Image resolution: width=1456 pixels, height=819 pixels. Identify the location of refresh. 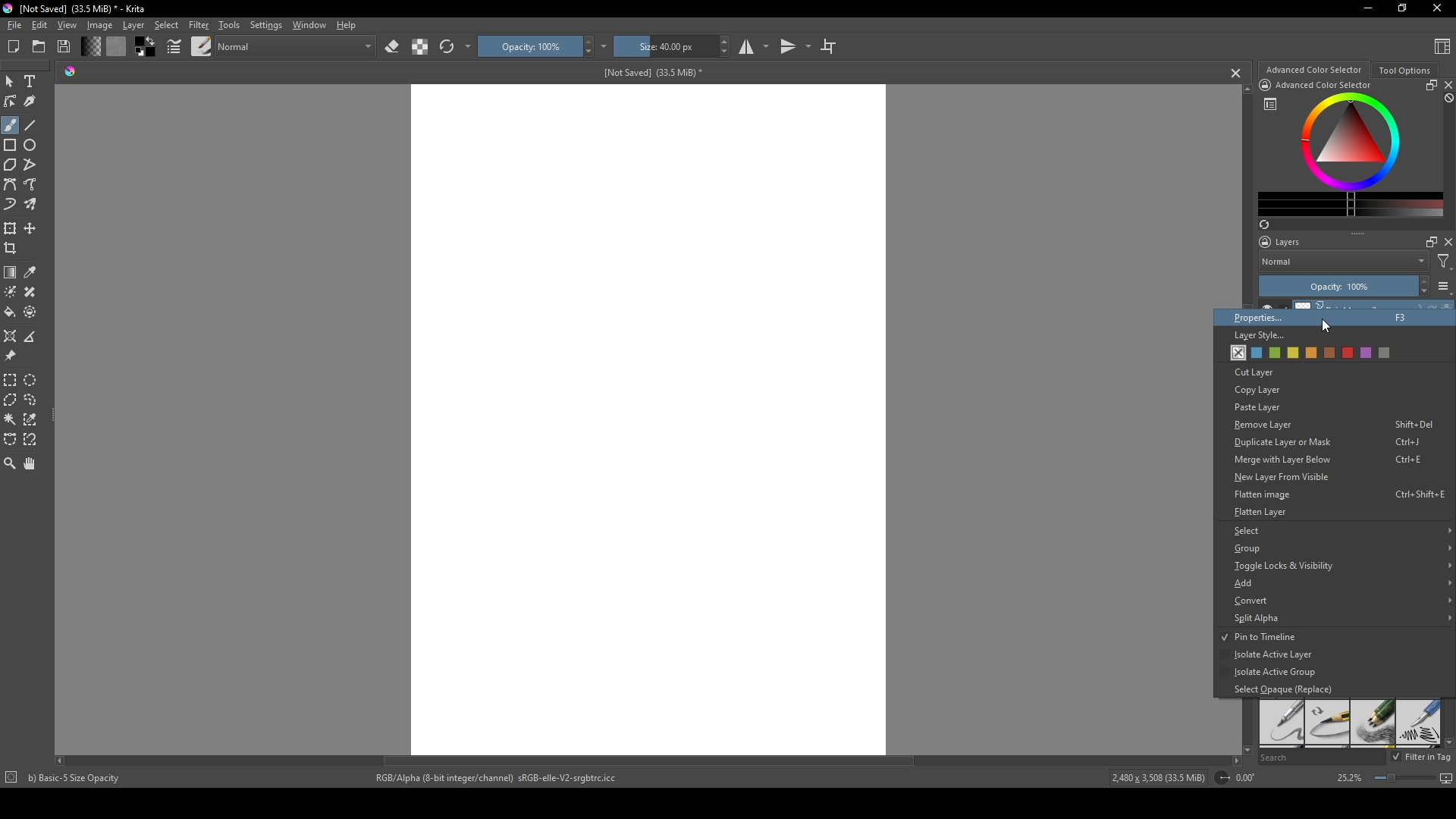
(447, 47).